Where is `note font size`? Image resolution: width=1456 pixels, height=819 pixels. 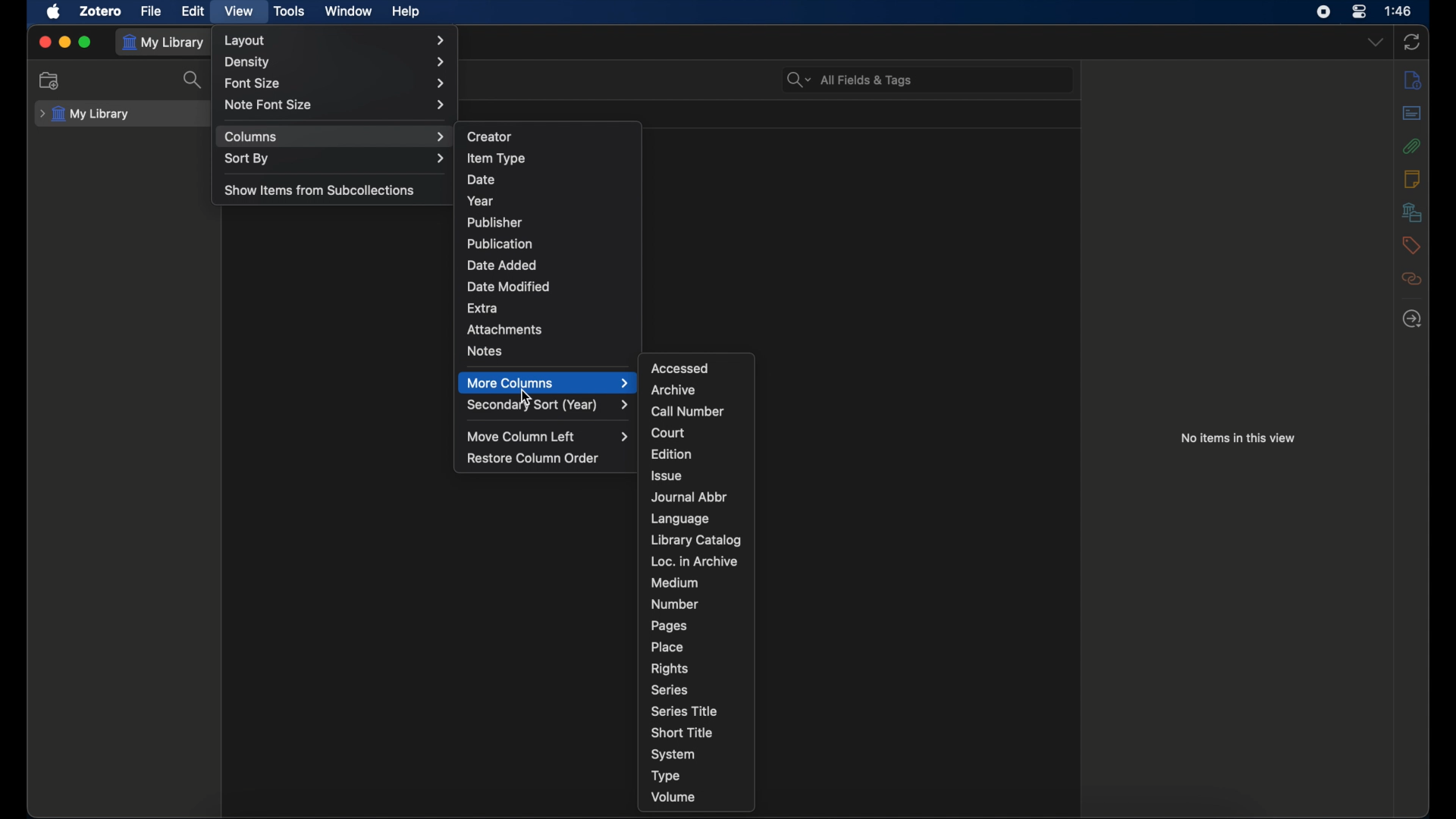
note font size is located at coordinates (336, 105).